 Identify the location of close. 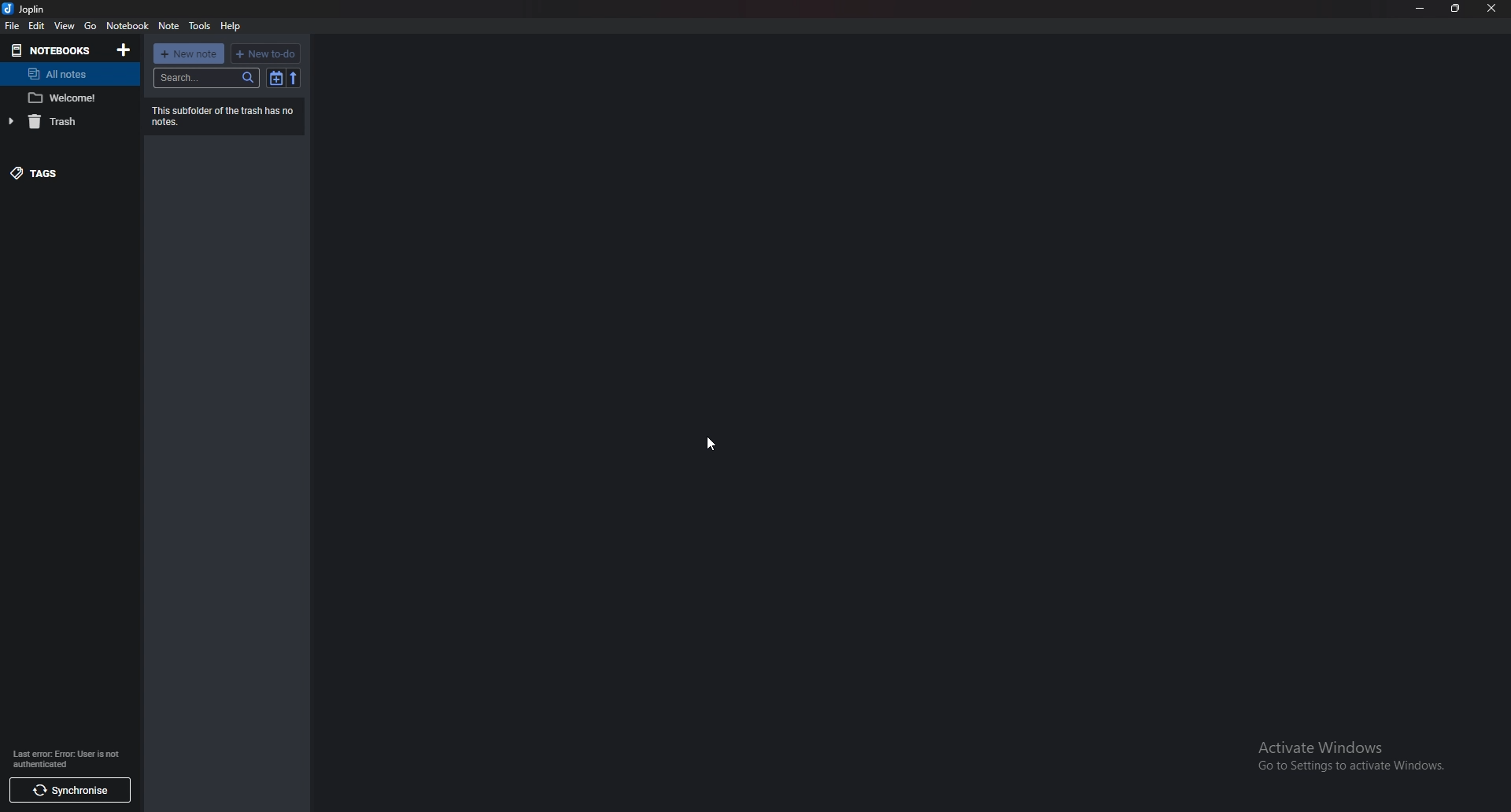
(1493, 8).